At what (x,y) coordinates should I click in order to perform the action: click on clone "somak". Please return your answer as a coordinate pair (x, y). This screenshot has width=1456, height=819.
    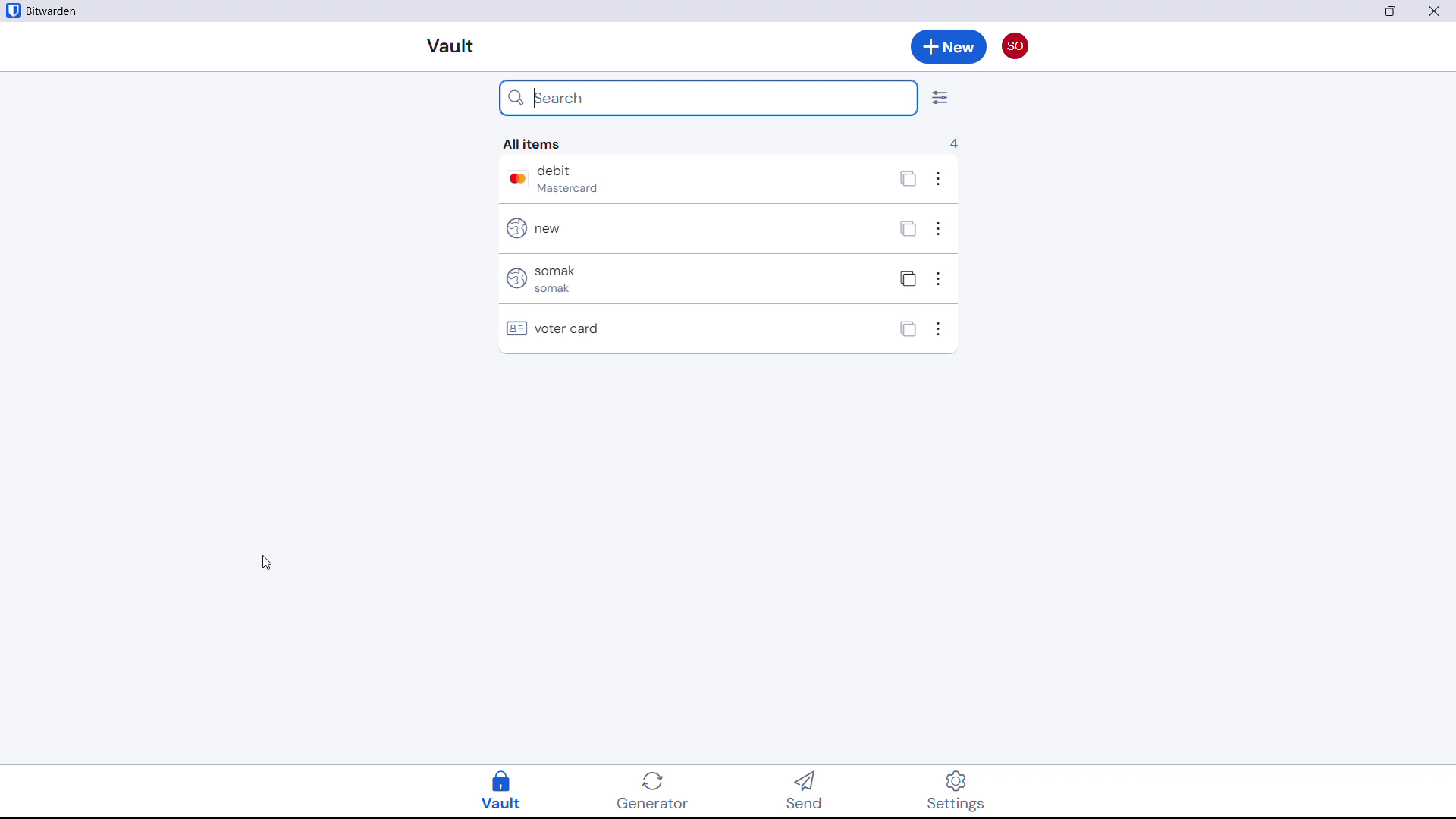
    Looking at the image, I should click on (905, 278).